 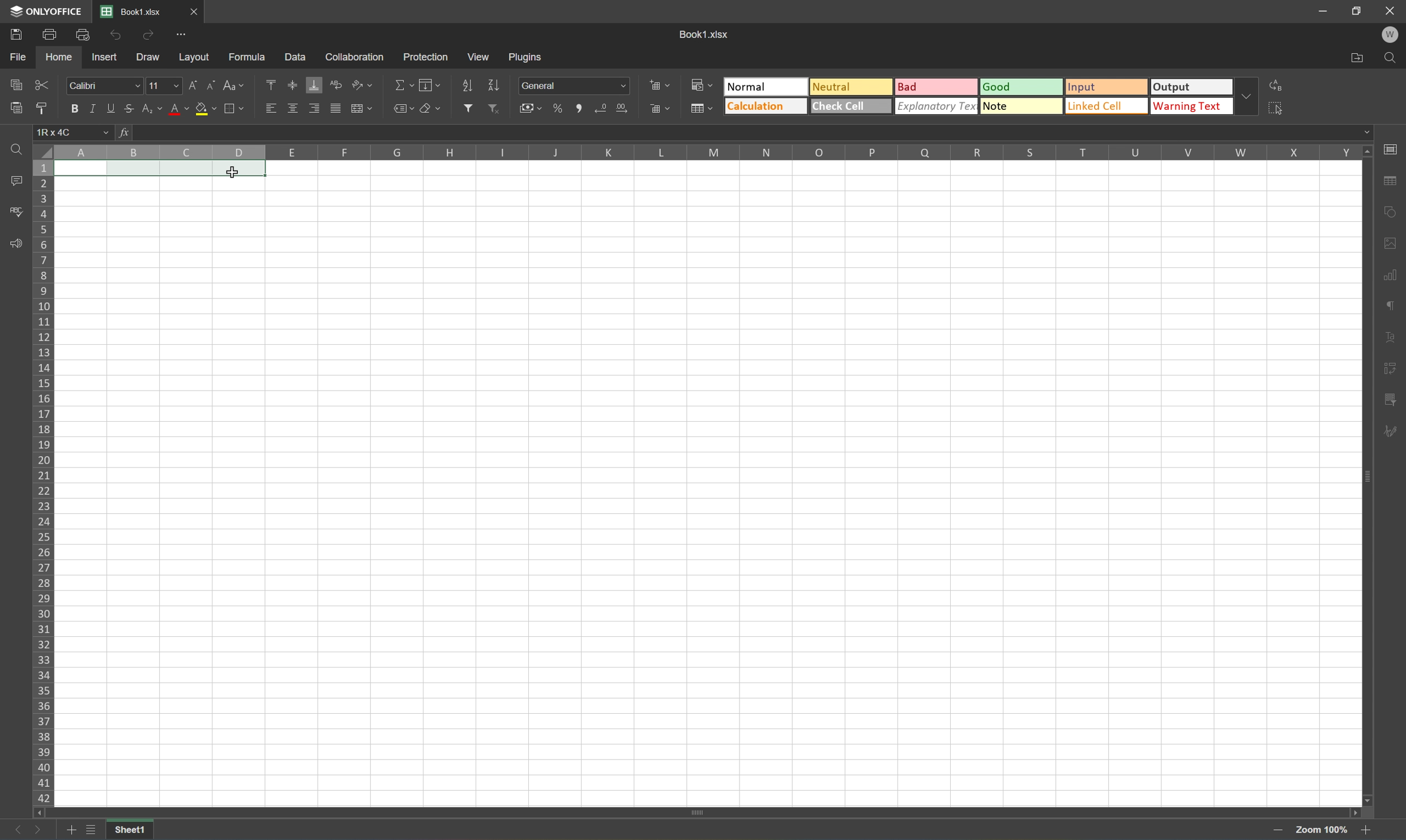 I want to click on Open file location, so click(x=1357, y=57).